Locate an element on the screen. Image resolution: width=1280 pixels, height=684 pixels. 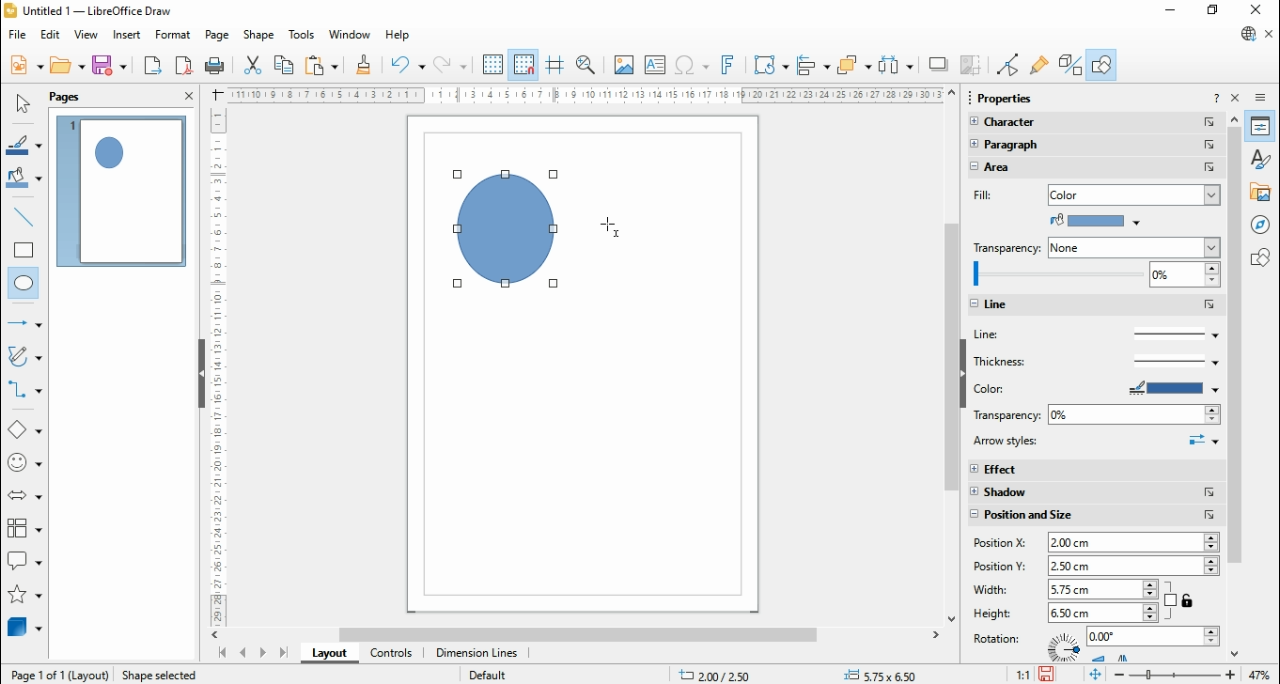
rotation is located at coordinates (1001, 638).